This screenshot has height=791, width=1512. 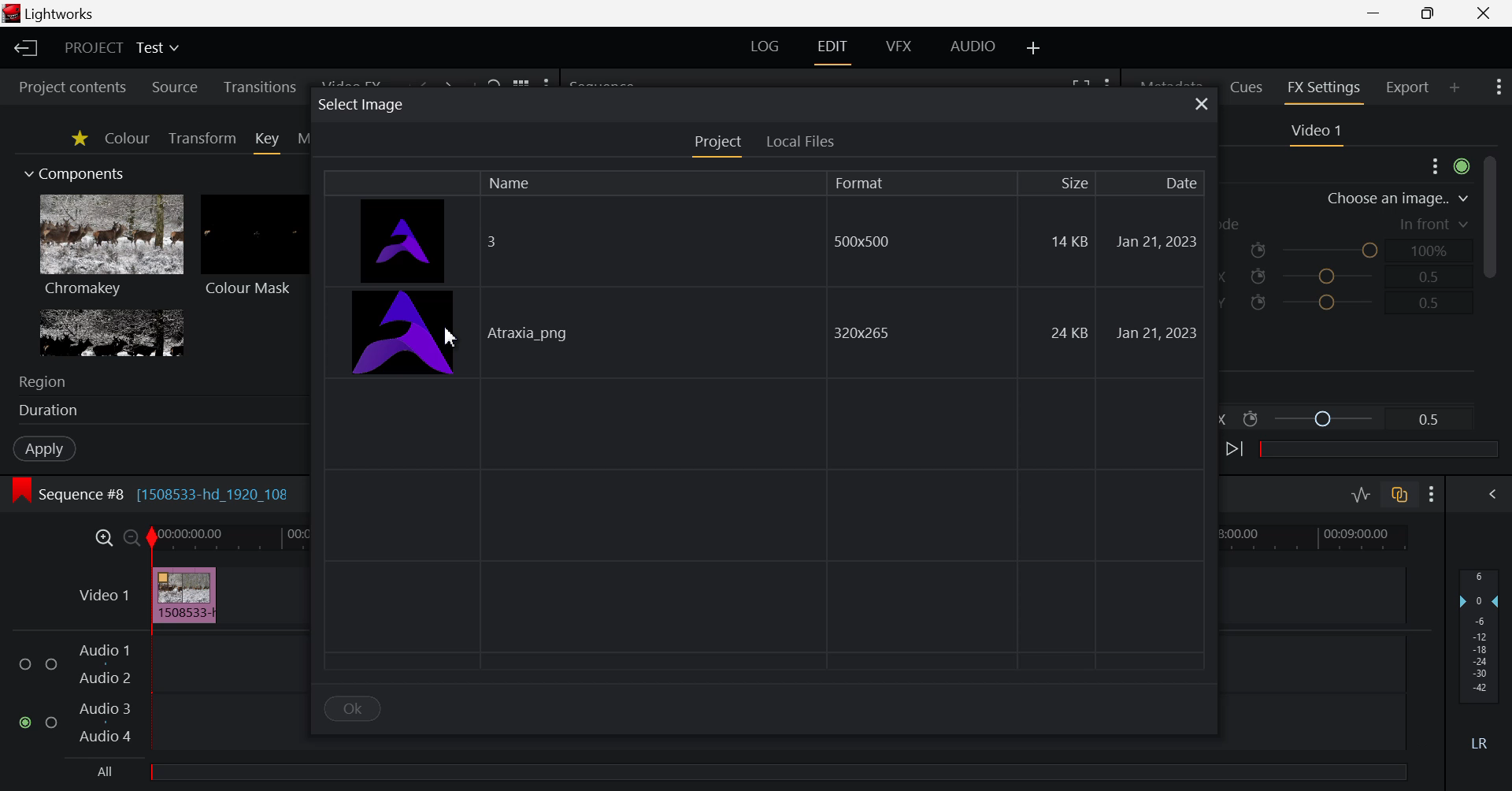 I want to click on All, so click(x=108, y=771).